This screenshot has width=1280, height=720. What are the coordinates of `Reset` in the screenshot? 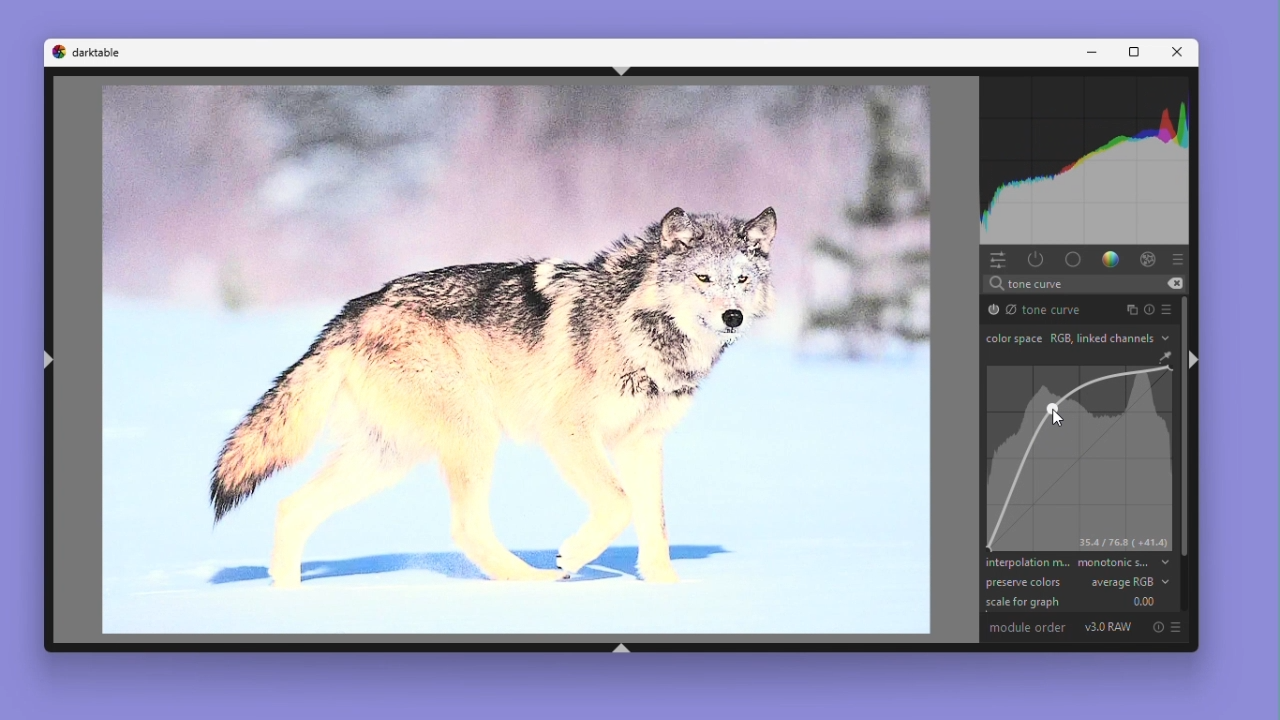 It's located at (1156, 627).